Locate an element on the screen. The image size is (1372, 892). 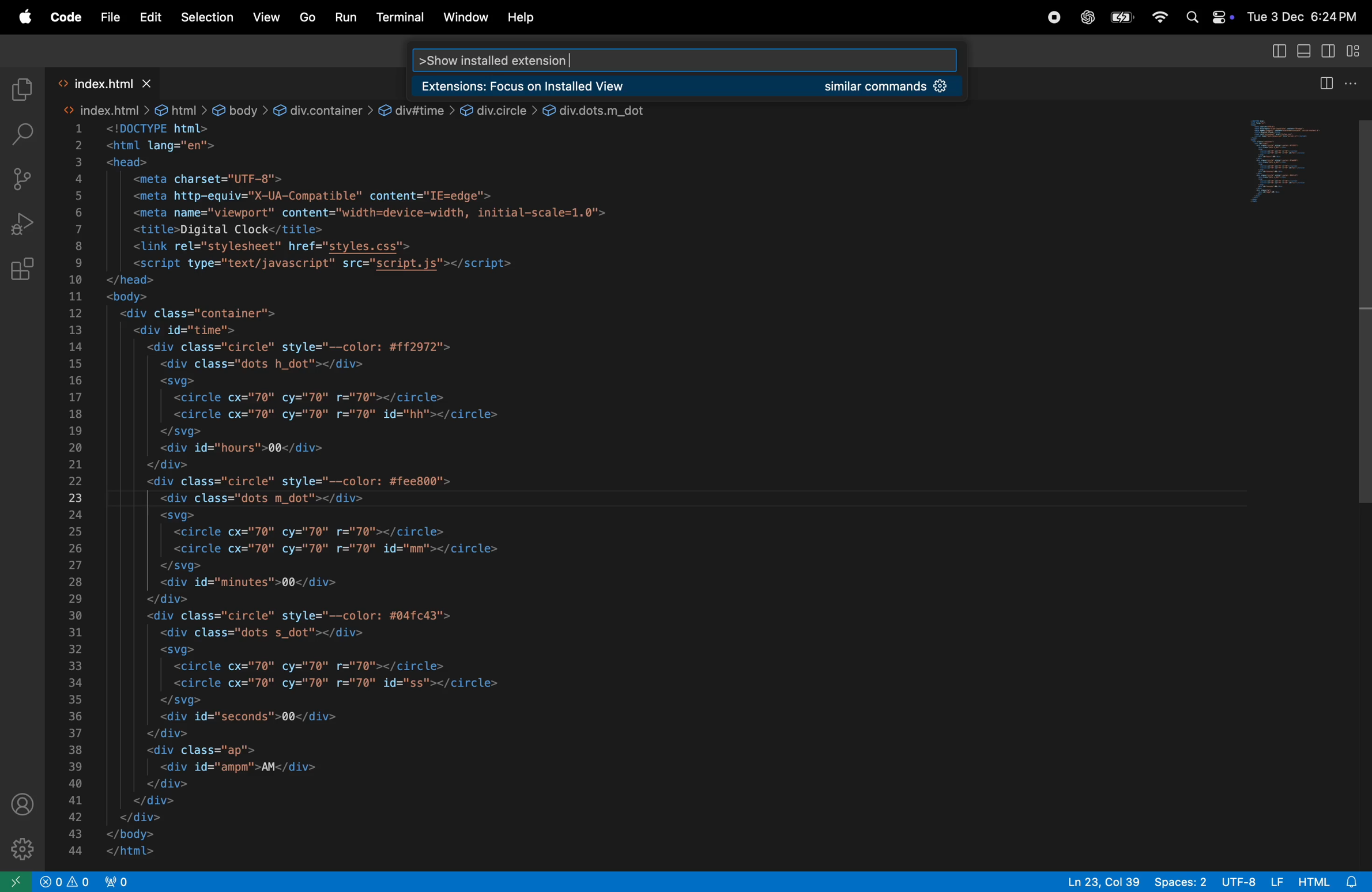
customize layout is located at coordinates (1357, 51).